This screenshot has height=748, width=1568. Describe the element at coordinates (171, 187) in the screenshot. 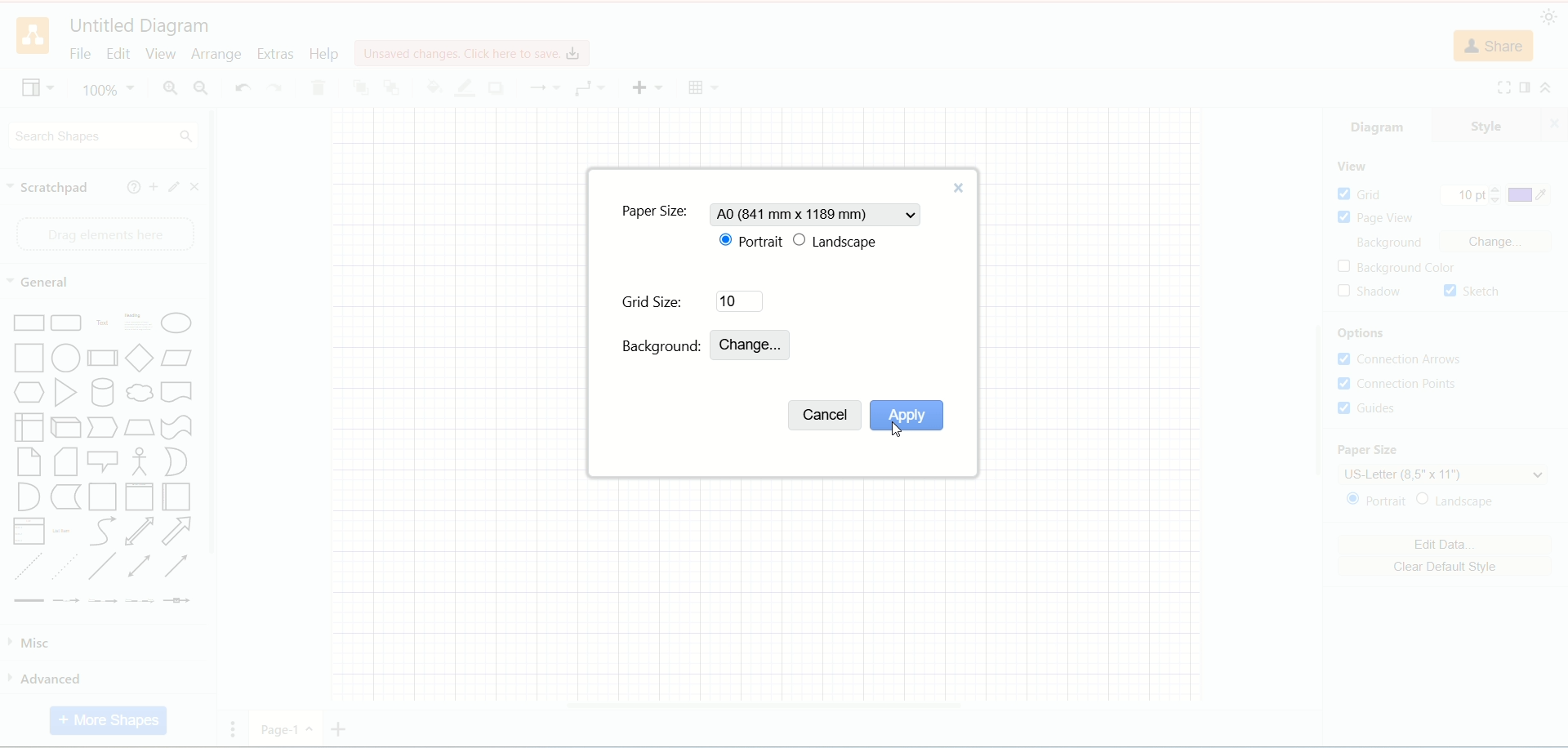

I see `edit` at that location.